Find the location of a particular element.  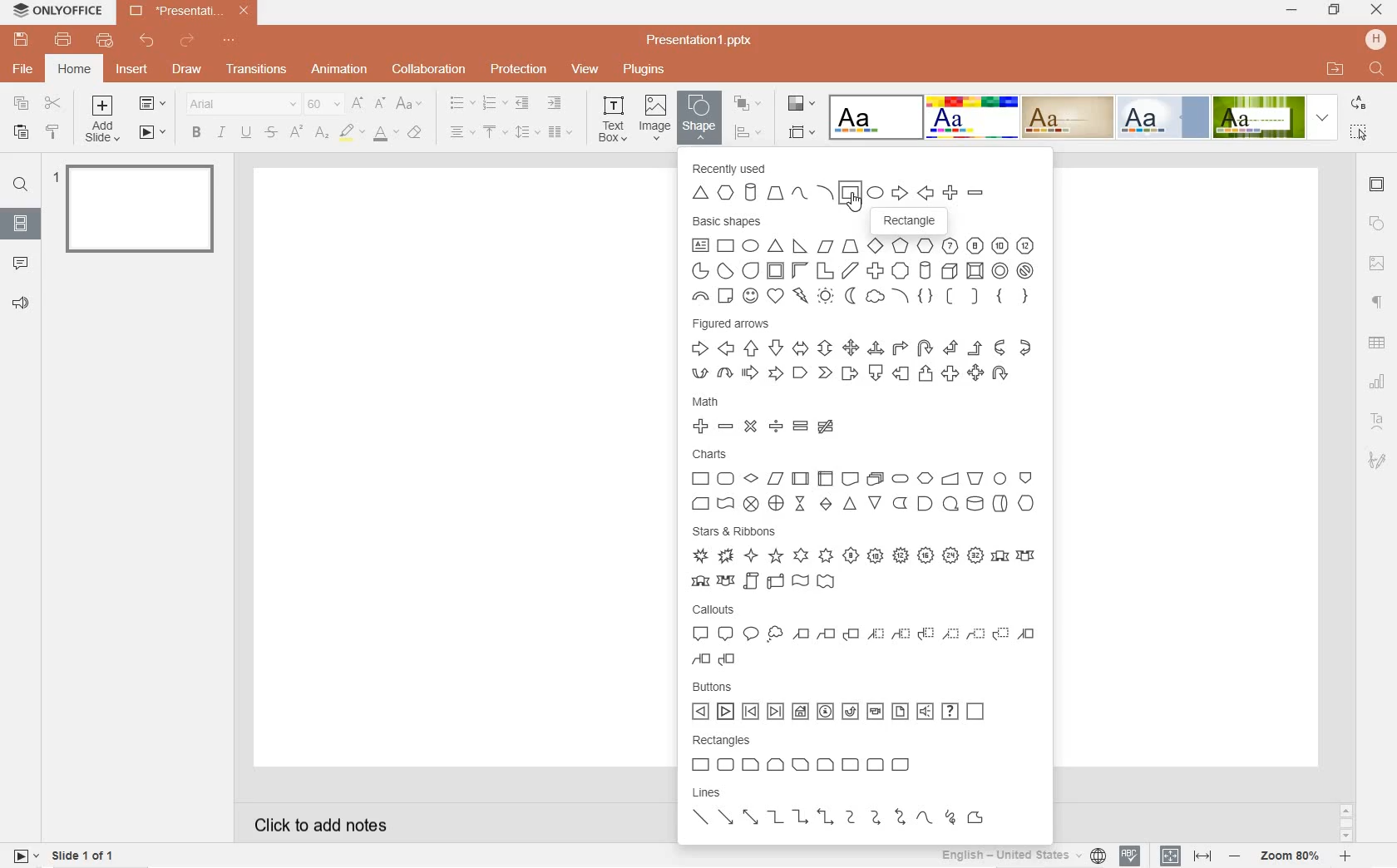

copy is located at coordinates (22, 103).